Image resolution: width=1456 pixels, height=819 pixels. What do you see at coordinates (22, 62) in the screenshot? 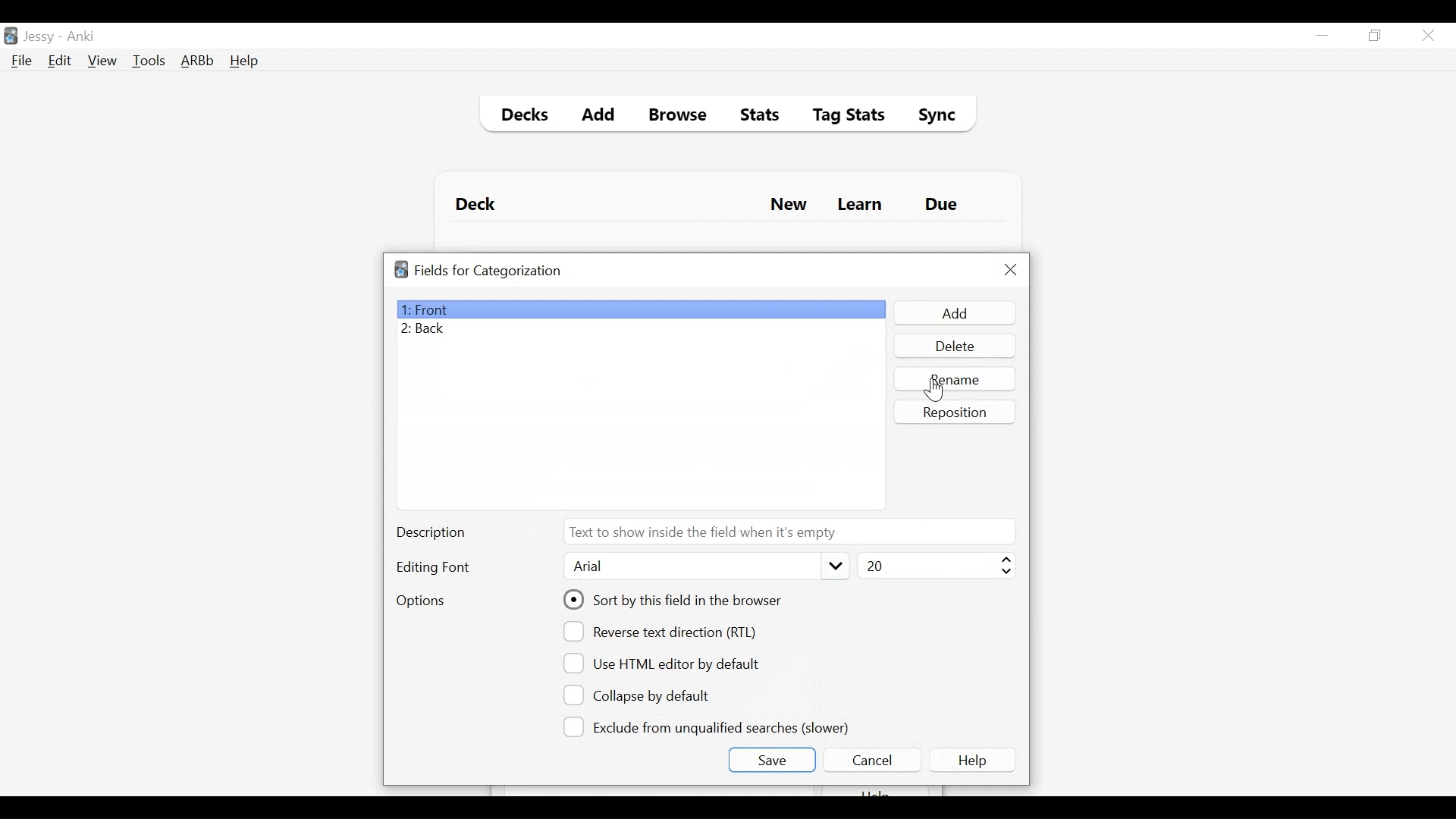
I see `File` at bounding box center [22, 62].